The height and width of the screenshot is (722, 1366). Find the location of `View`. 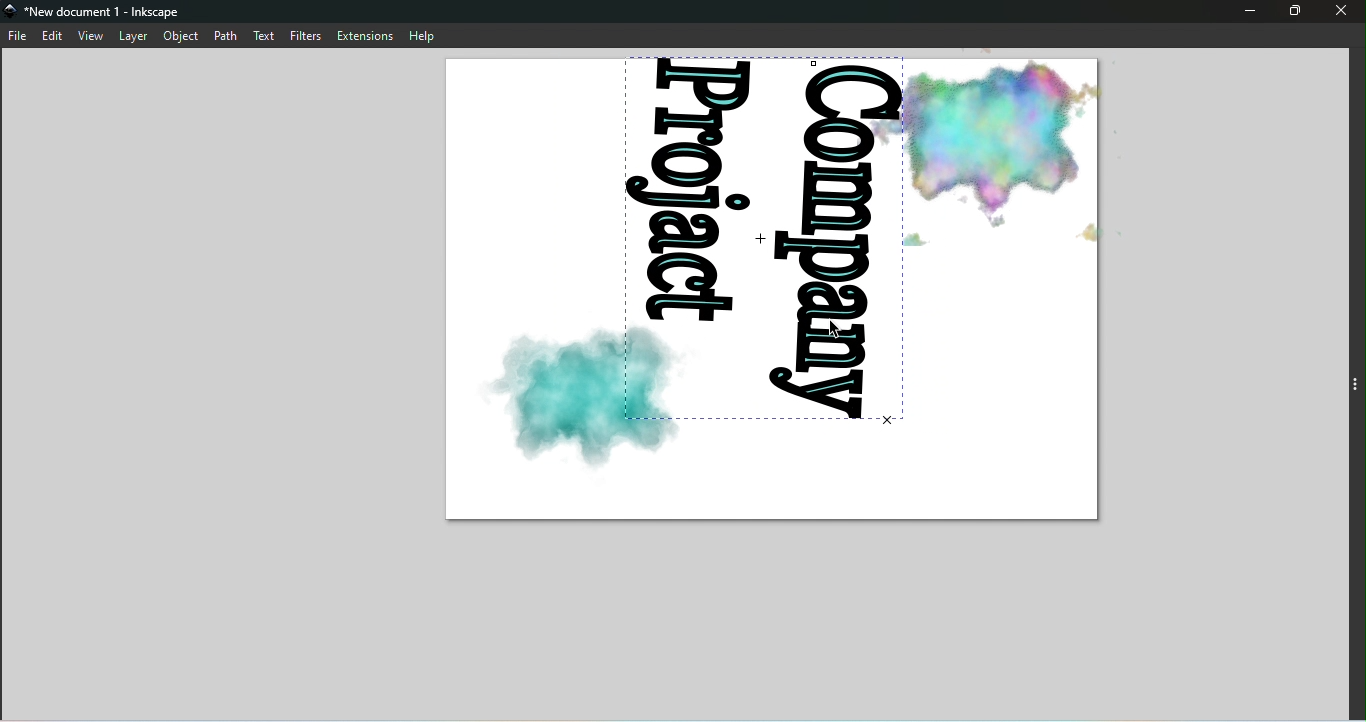

View is located at coordinates (91, 35).